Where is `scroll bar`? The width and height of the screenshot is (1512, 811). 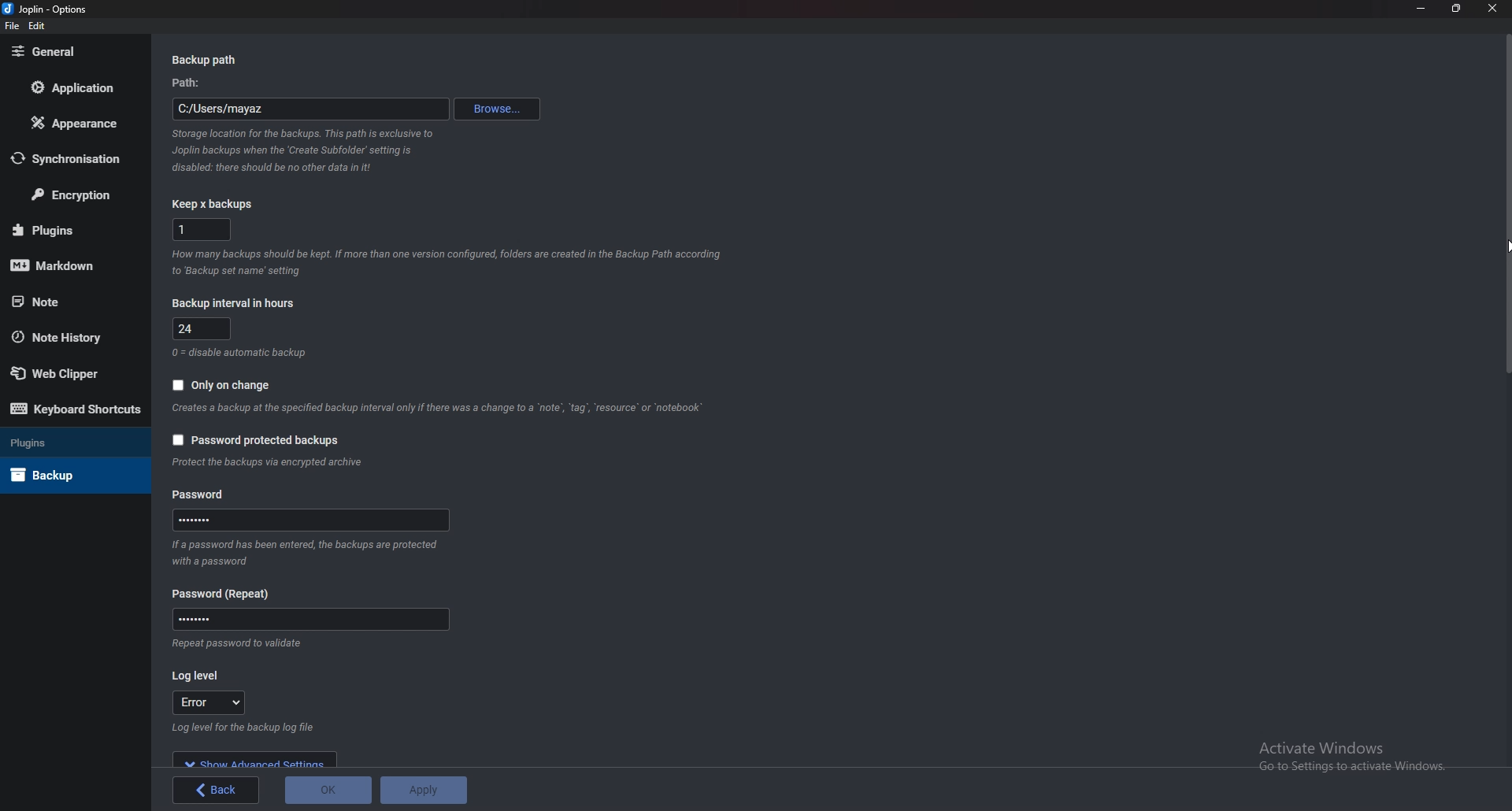 scroll bar is located at coordinates (1506, 395).